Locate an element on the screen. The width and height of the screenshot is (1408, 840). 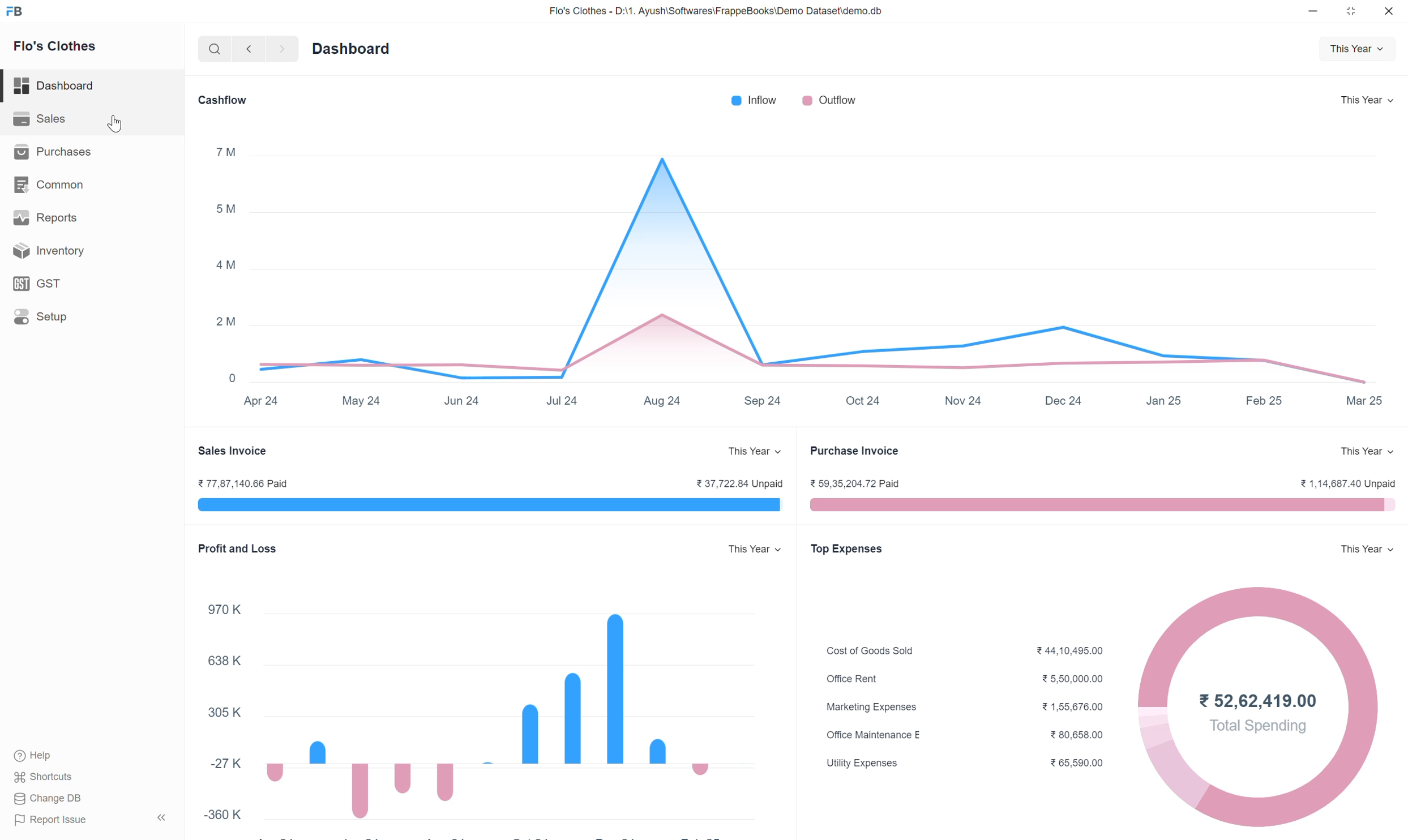
Profit and Loss is located at coordinates (238, 549).